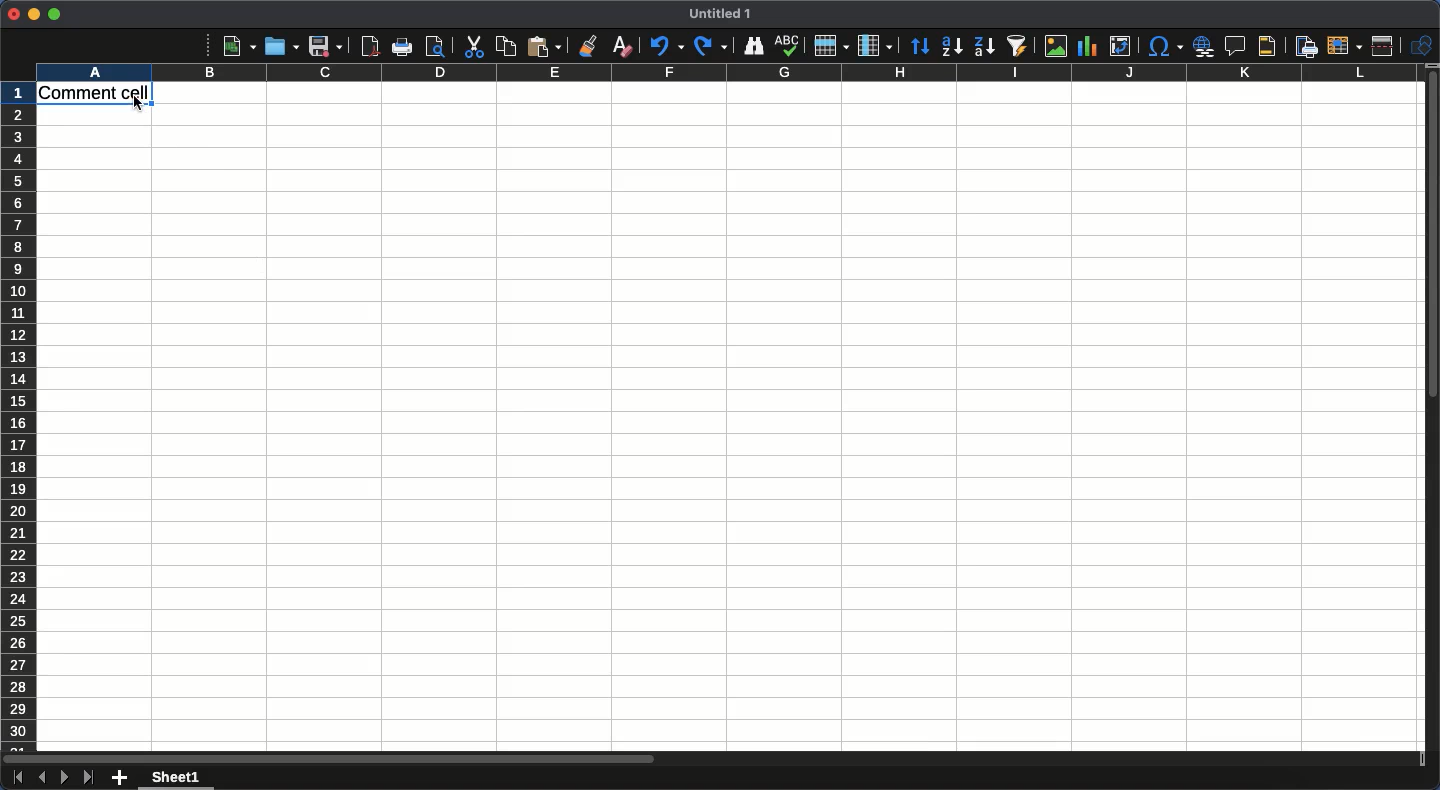  Describe the element at coordinates (1269, 45) in the screenshot. I see `Headers and footers` at that location.